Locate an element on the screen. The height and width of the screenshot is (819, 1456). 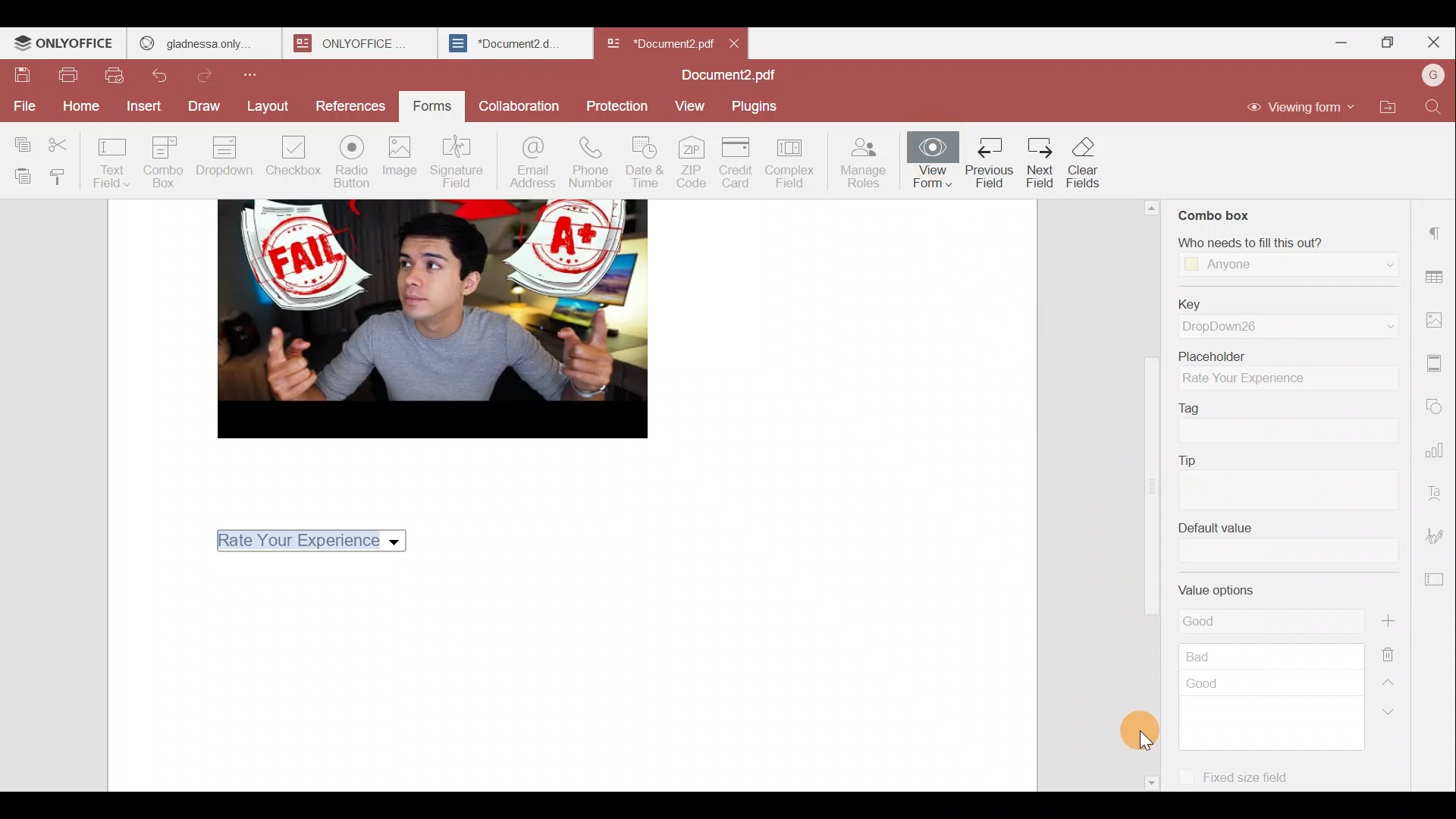
Manage roles is located at coordinates (865, 162).